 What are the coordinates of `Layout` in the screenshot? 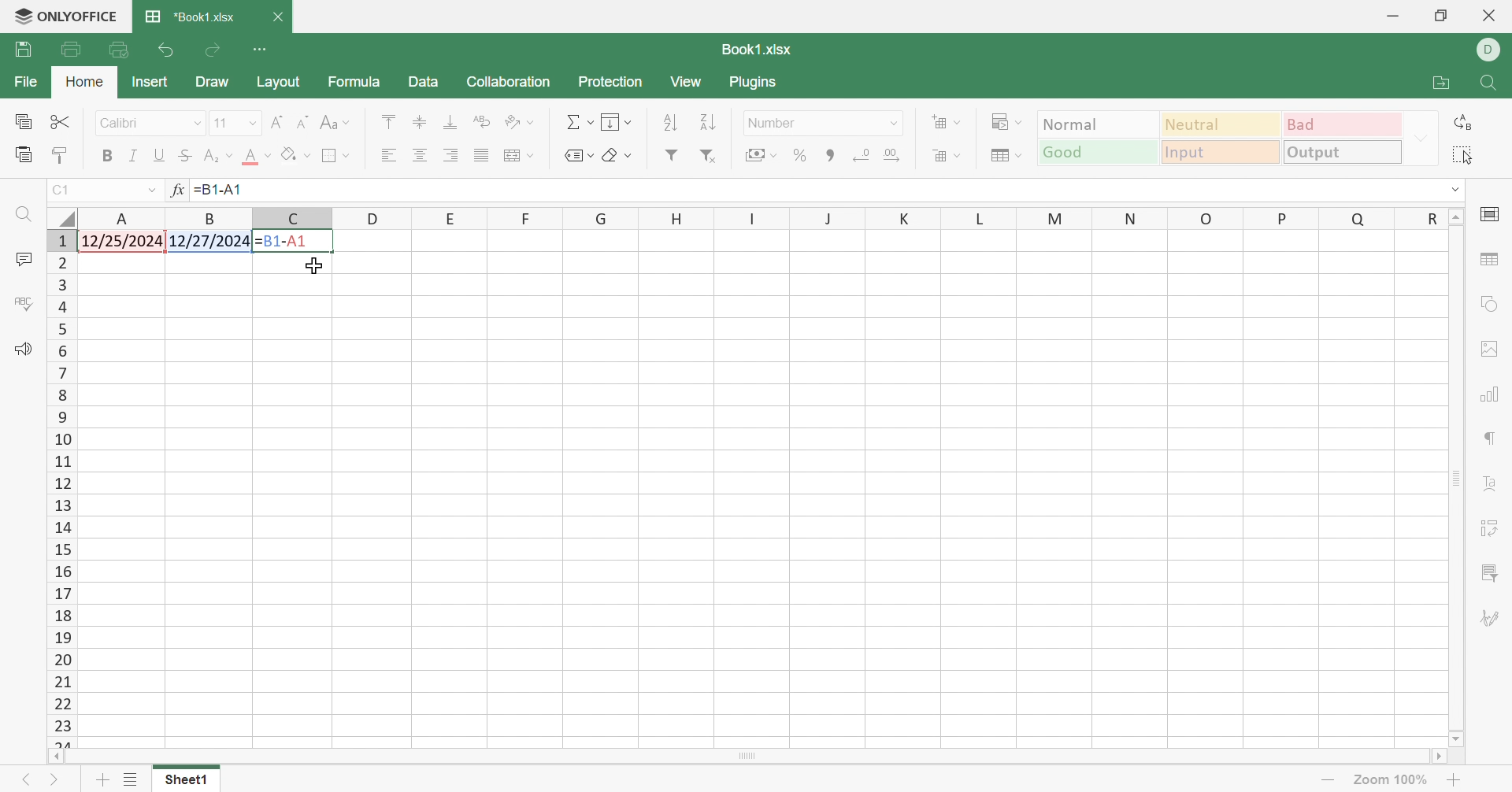 It's located at (280, 84).